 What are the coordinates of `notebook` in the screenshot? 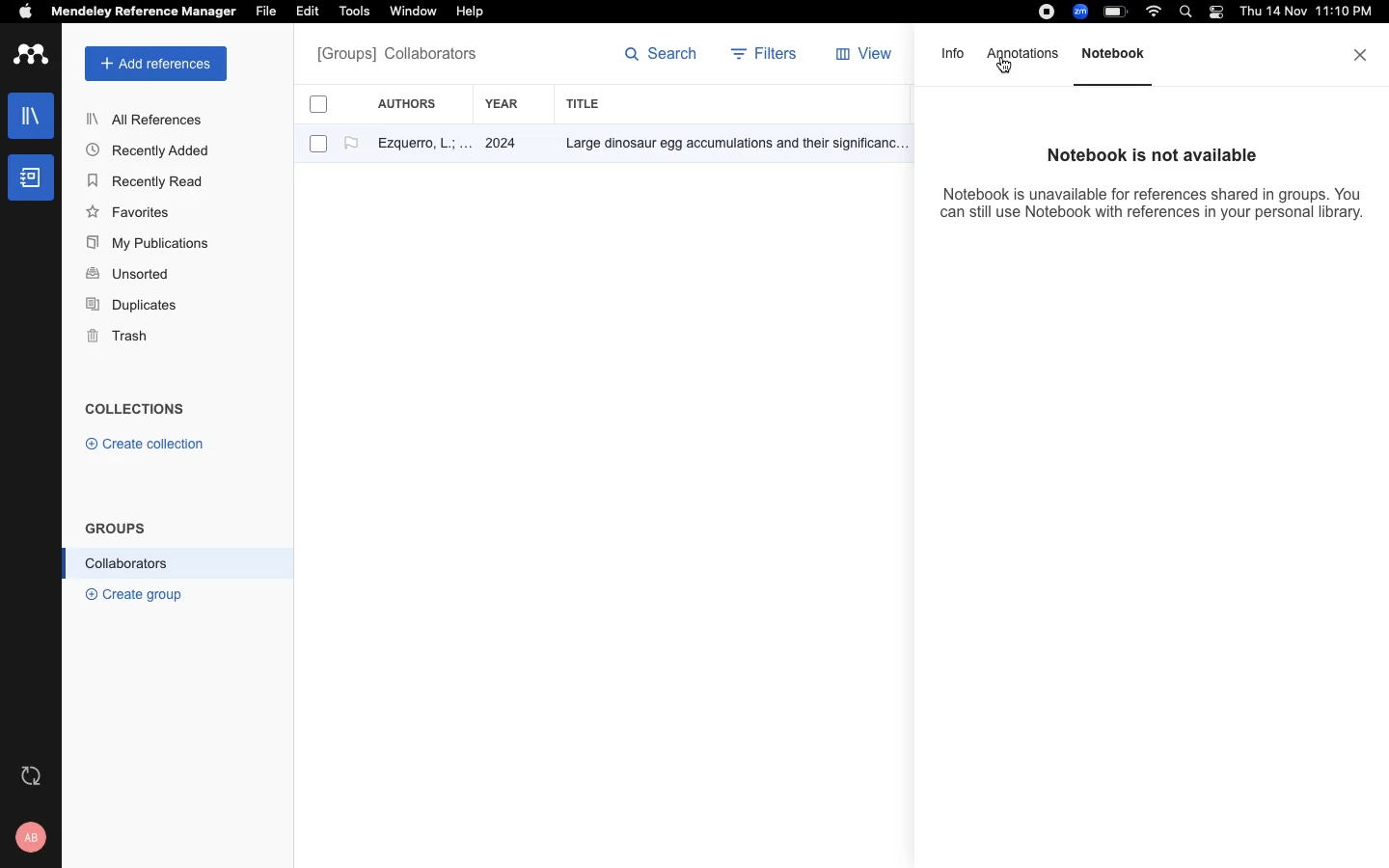 It's located at (1122, 64).